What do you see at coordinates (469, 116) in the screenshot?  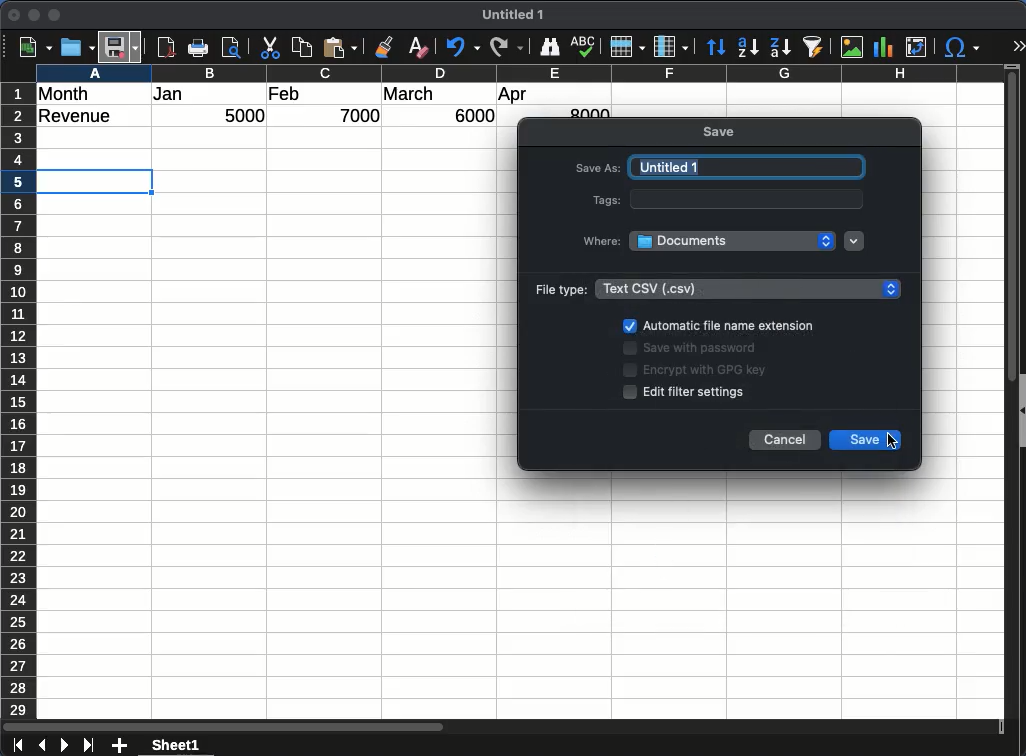 I see `6000` at bounding box center [469, 116].